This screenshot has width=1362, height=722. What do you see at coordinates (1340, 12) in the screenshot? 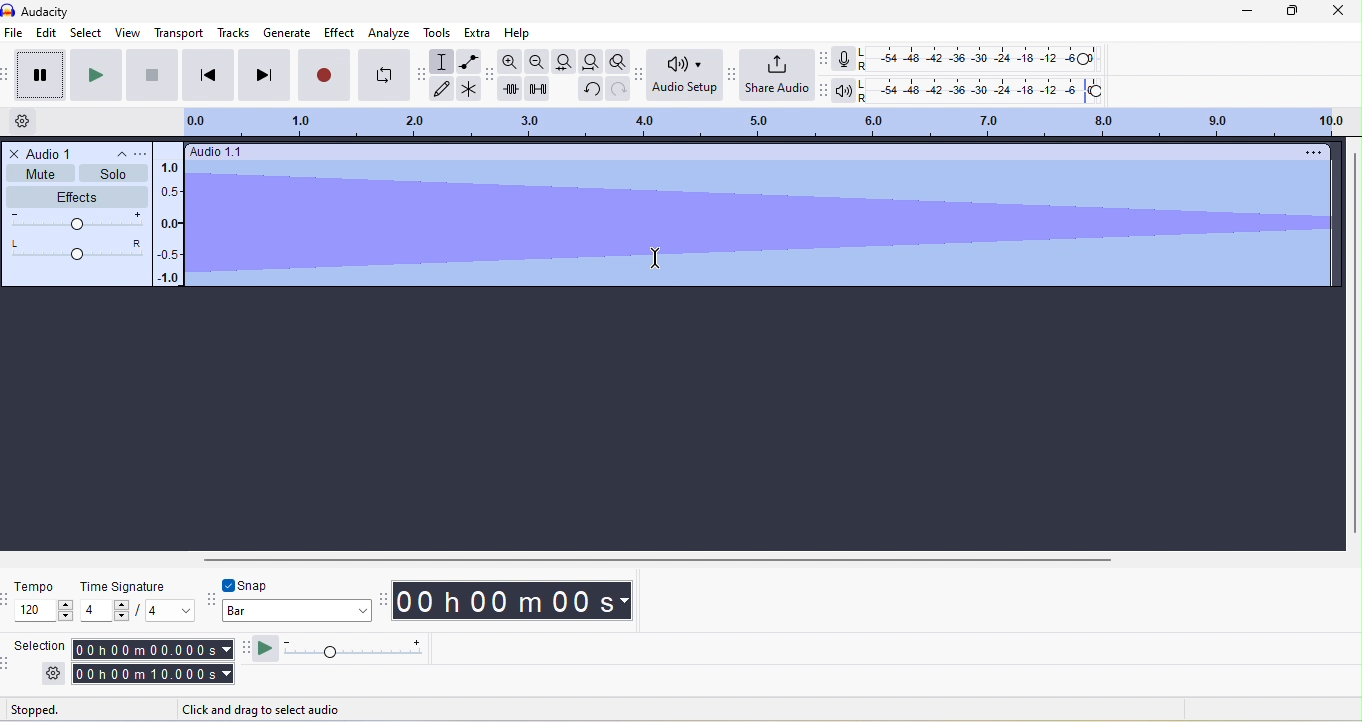
I see `close` at bounding box center [1340, 12].